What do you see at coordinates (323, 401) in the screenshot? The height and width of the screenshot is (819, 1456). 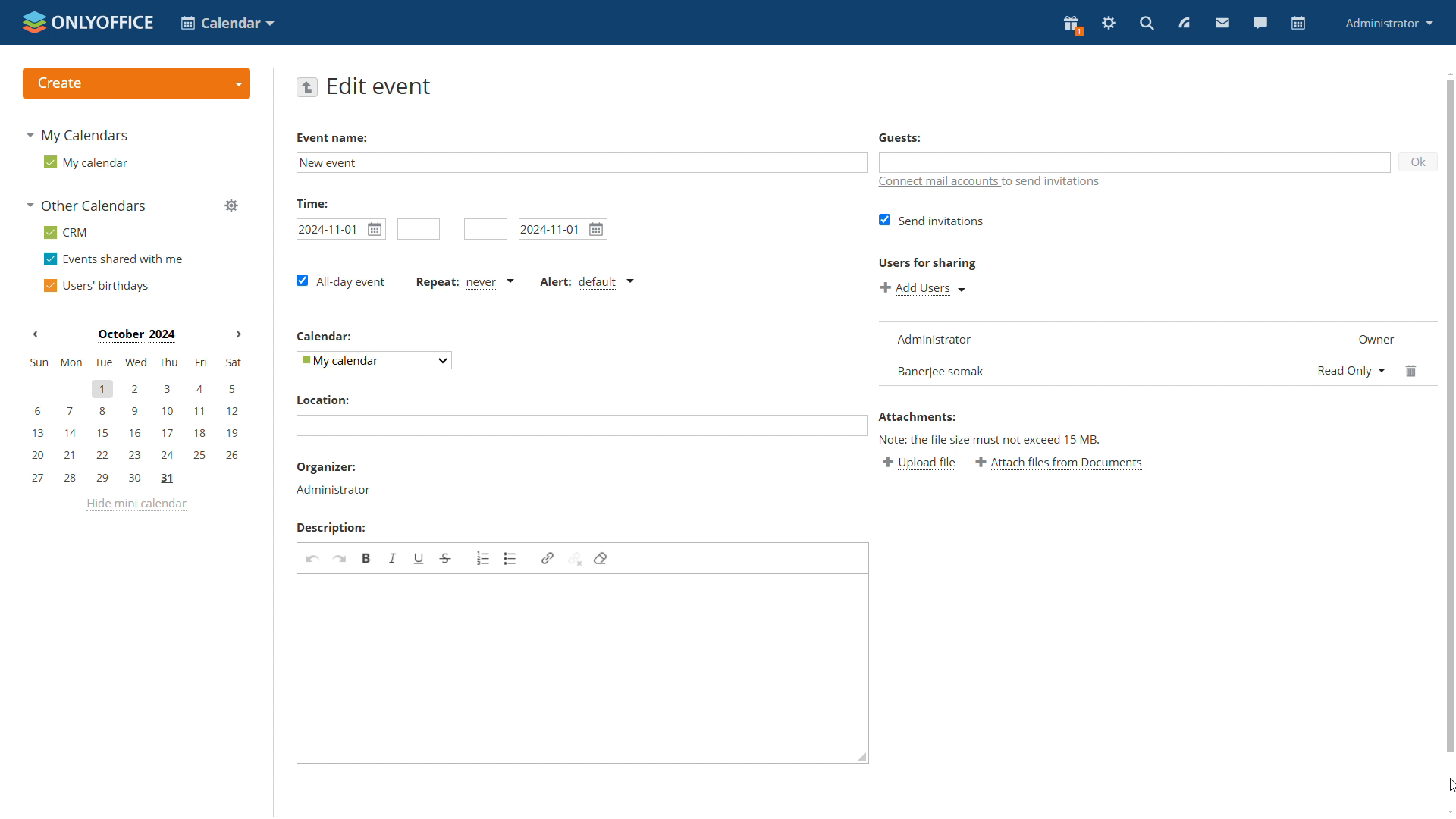 I see `Location` at bounding box center [323, 401].